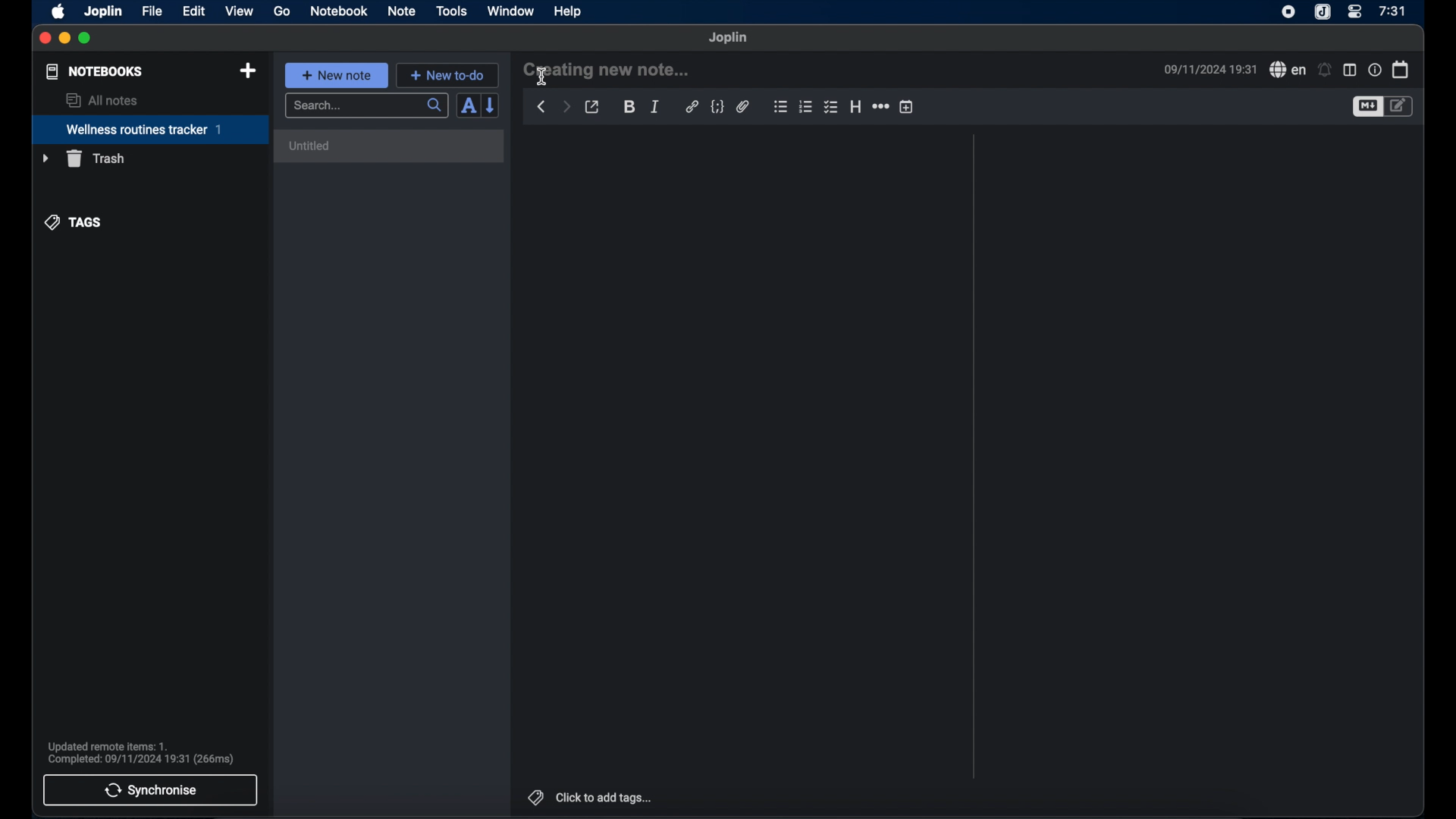  What do you see at coordinates (629, 108) in the screenshot?
I see `bold` at bounding box center [629, 108].